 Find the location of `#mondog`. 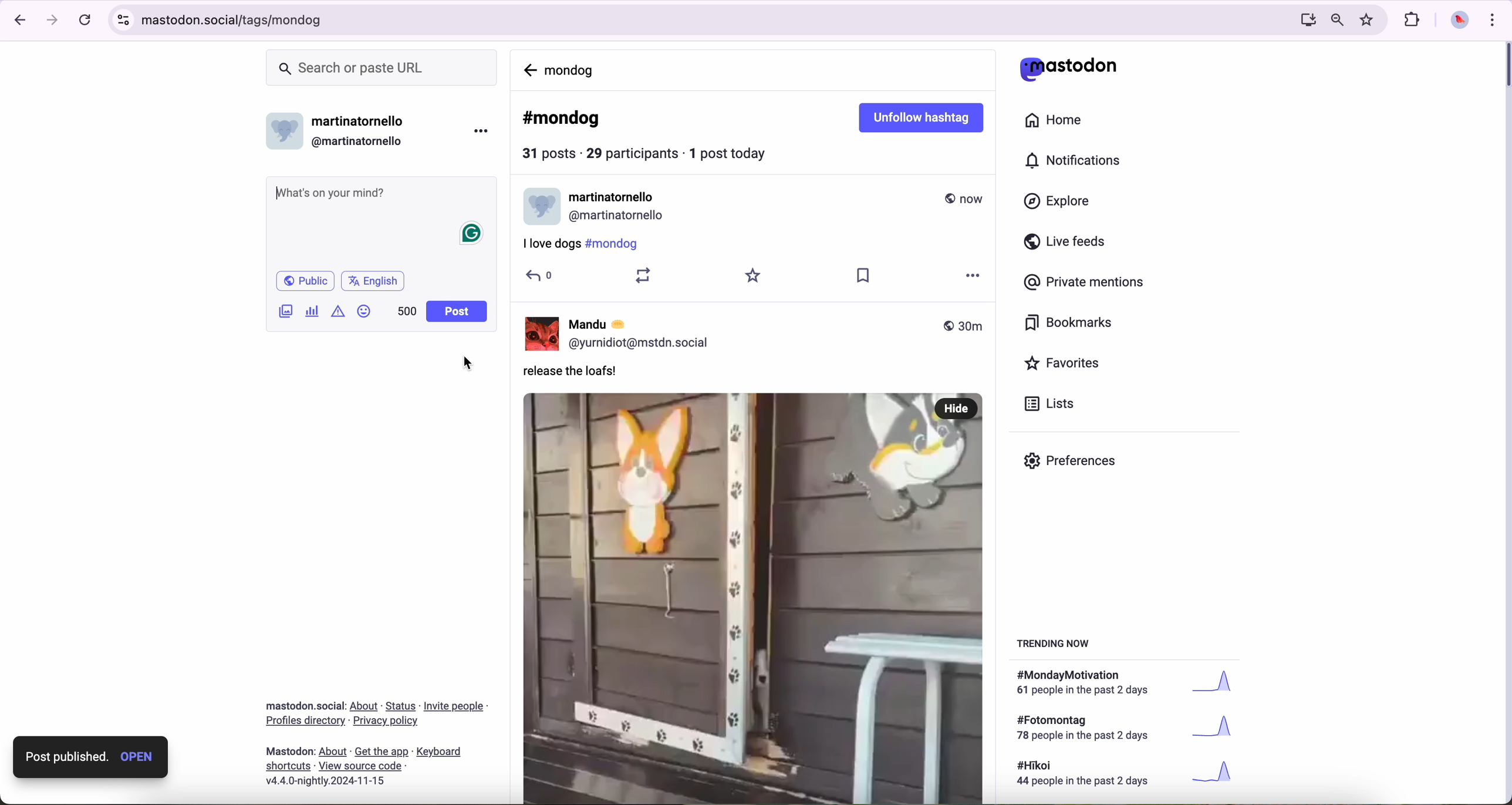

#mondog is located at coordinates (562, 119).